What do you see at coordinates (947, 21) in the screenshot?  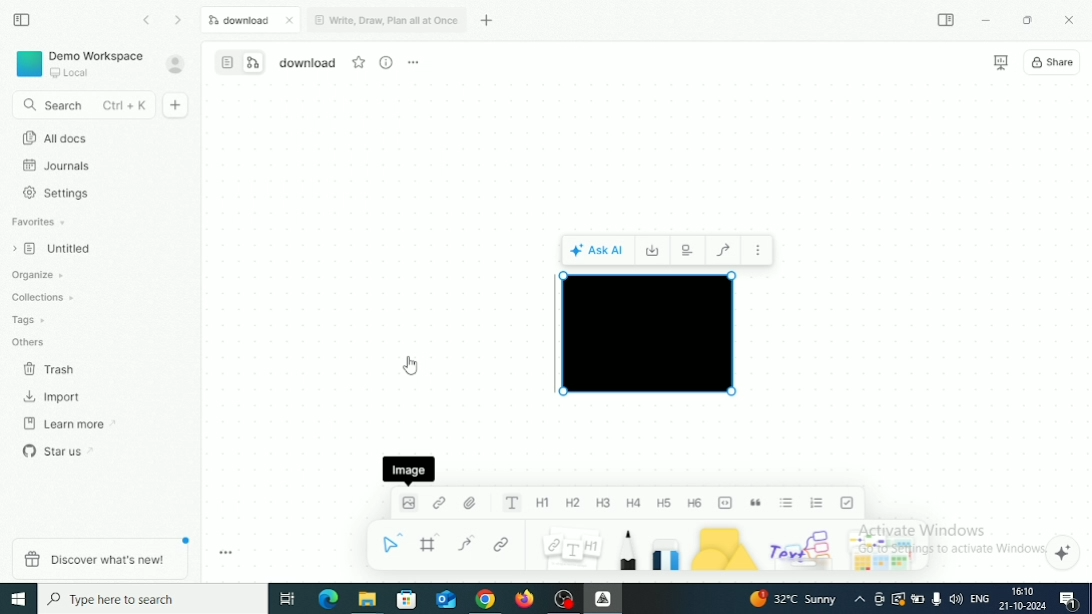 I see `Expand sidebar` at bounding box center [947, 21].